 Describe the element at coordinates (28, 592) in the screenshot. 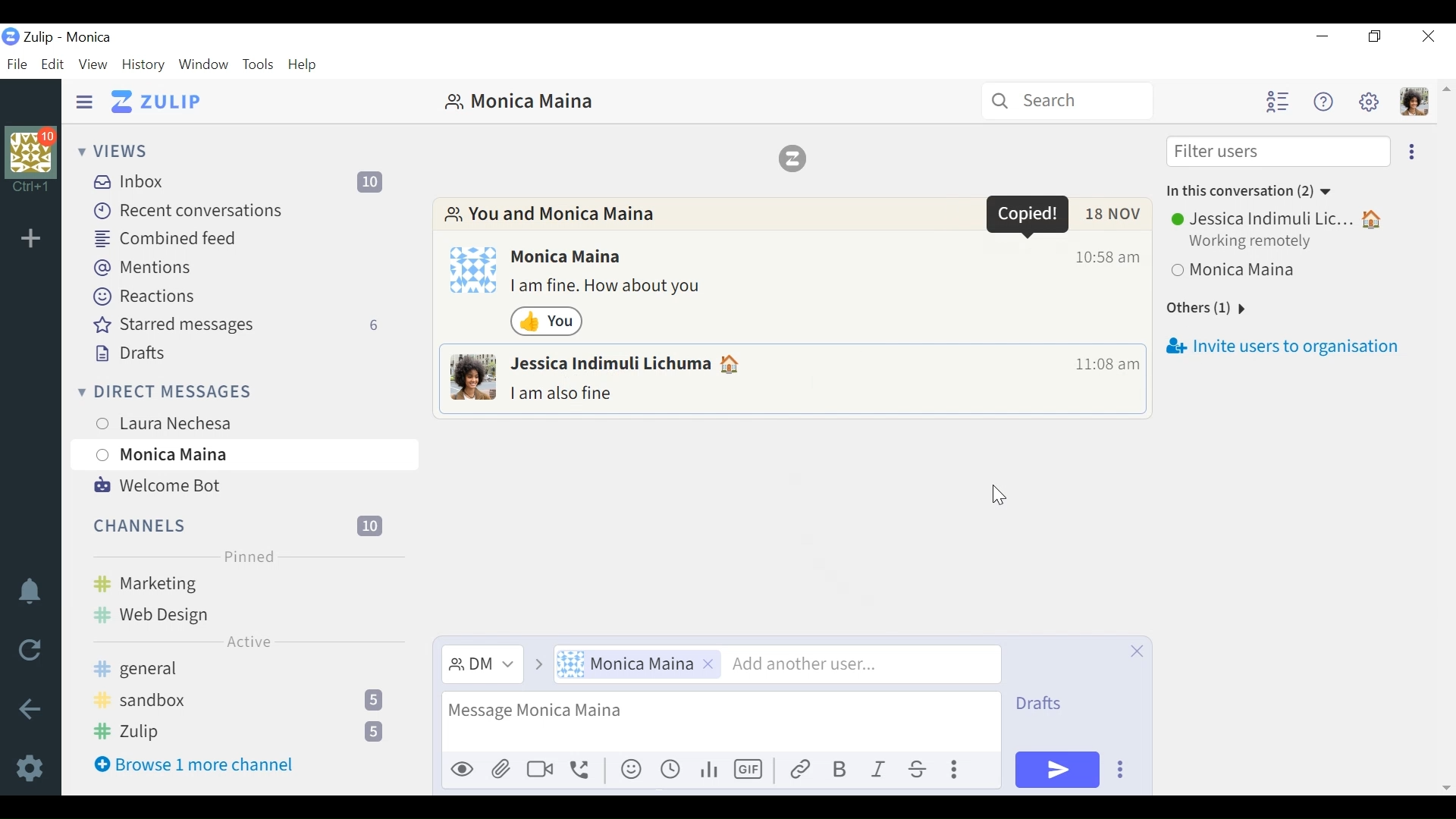

I see `Notification` at that location.